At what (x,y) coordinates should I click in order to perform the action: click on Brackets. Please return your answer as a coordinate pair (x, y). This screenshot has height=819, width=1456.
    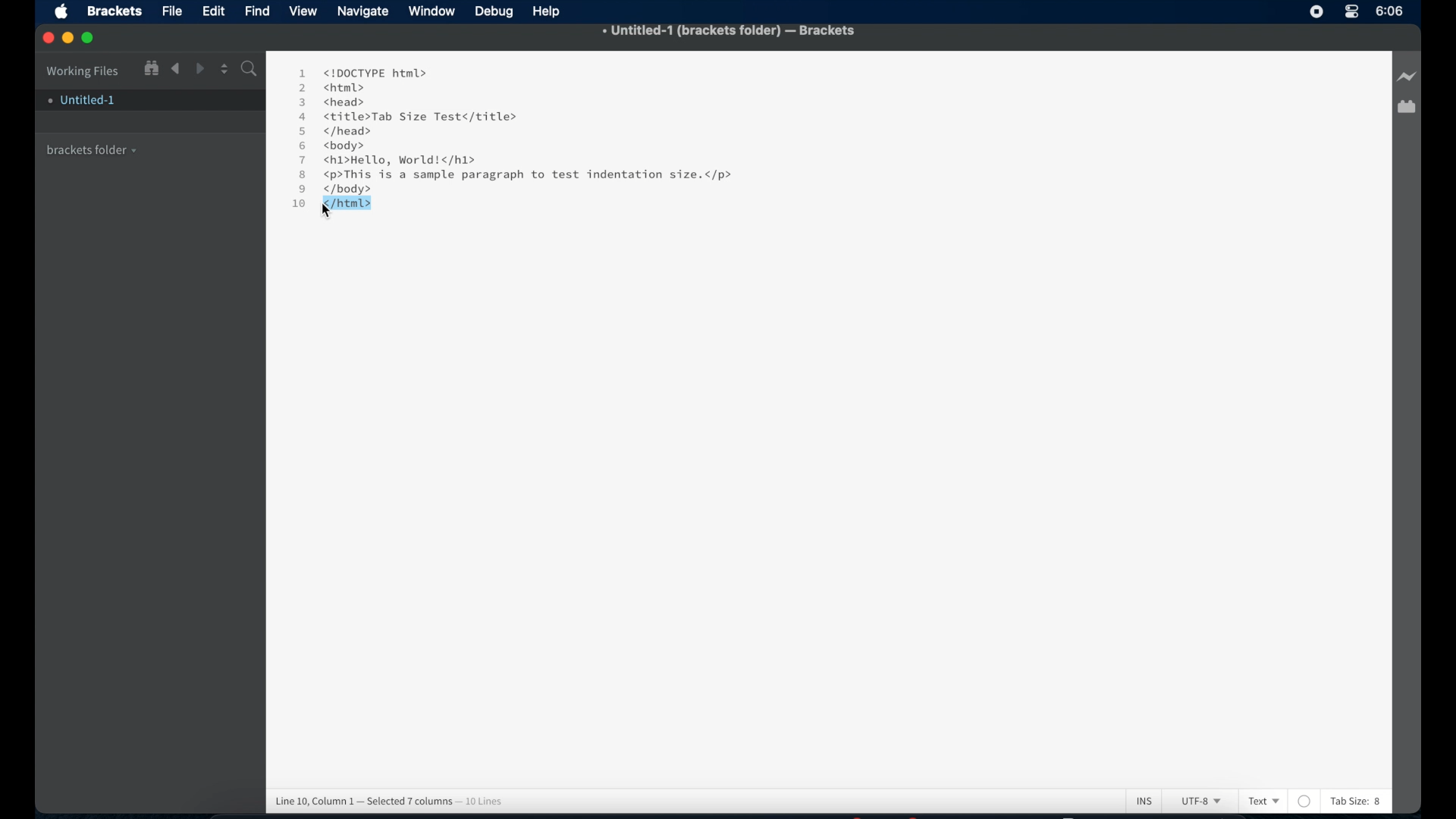
    Looking at the image, I should click on (113, 10).